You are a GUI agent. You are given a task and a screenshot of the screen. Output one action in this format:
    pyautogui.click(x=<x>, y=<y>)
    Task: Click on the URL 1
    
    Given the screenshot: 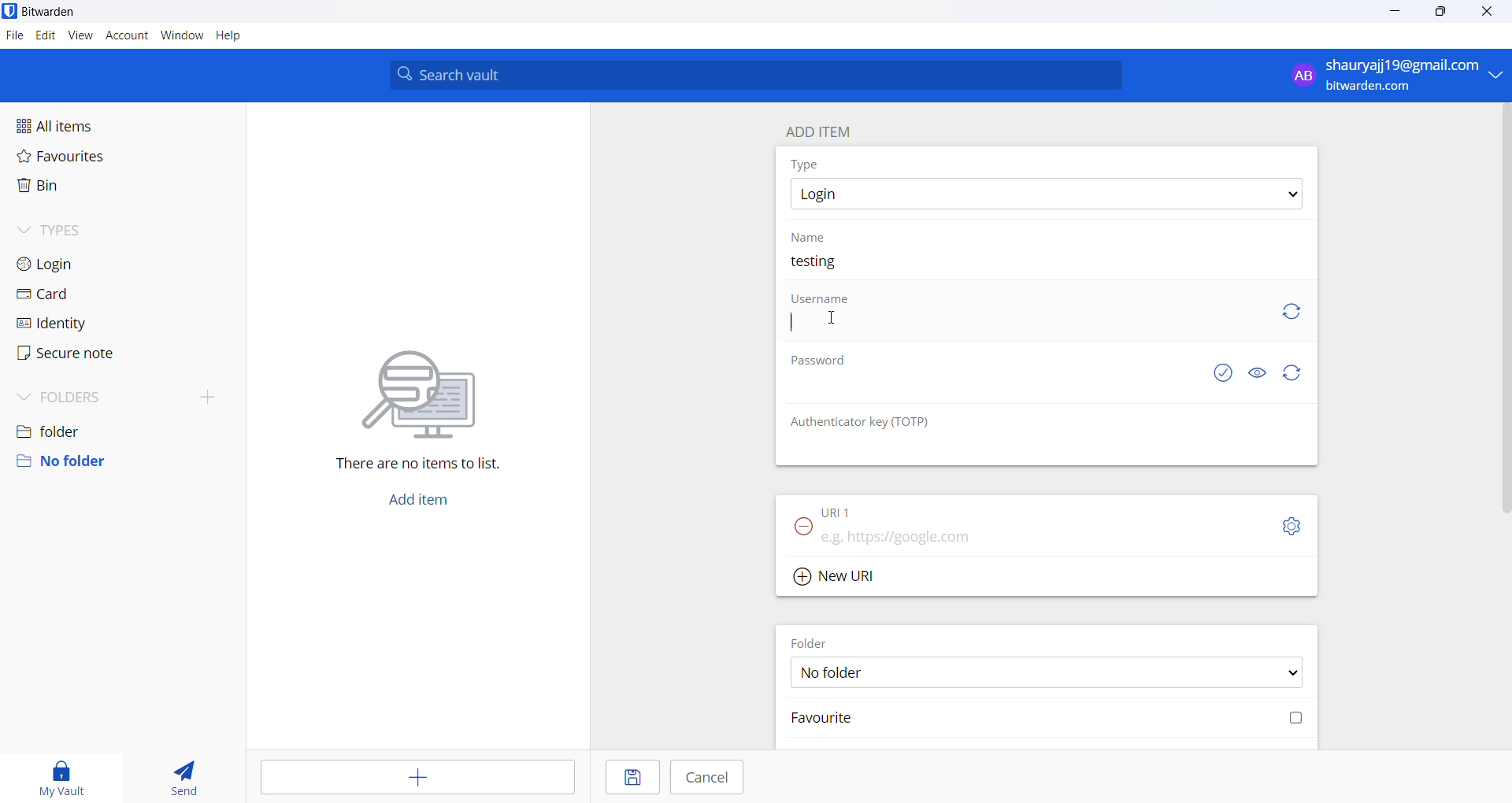 What is the action you would take?
    pyautogui.click(x=865, y=511)
    